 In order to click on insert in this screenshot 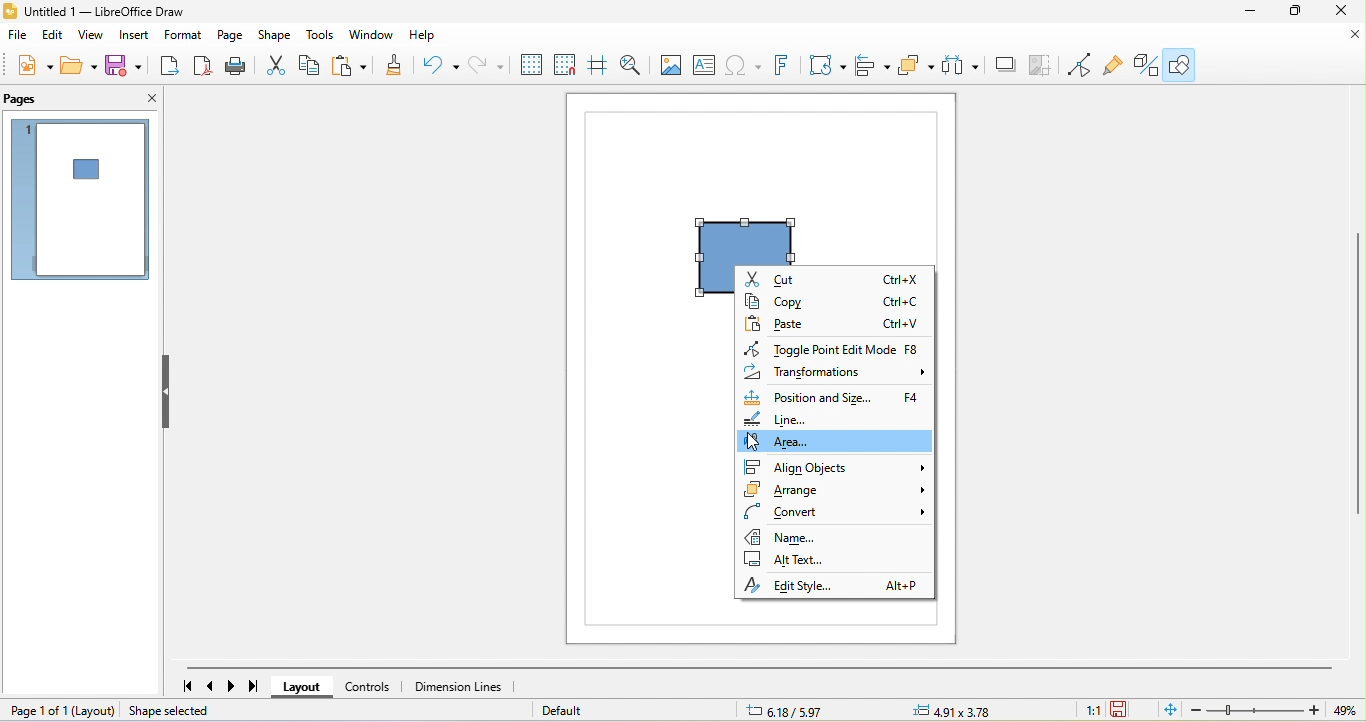, I will do `click(134, 38)`.